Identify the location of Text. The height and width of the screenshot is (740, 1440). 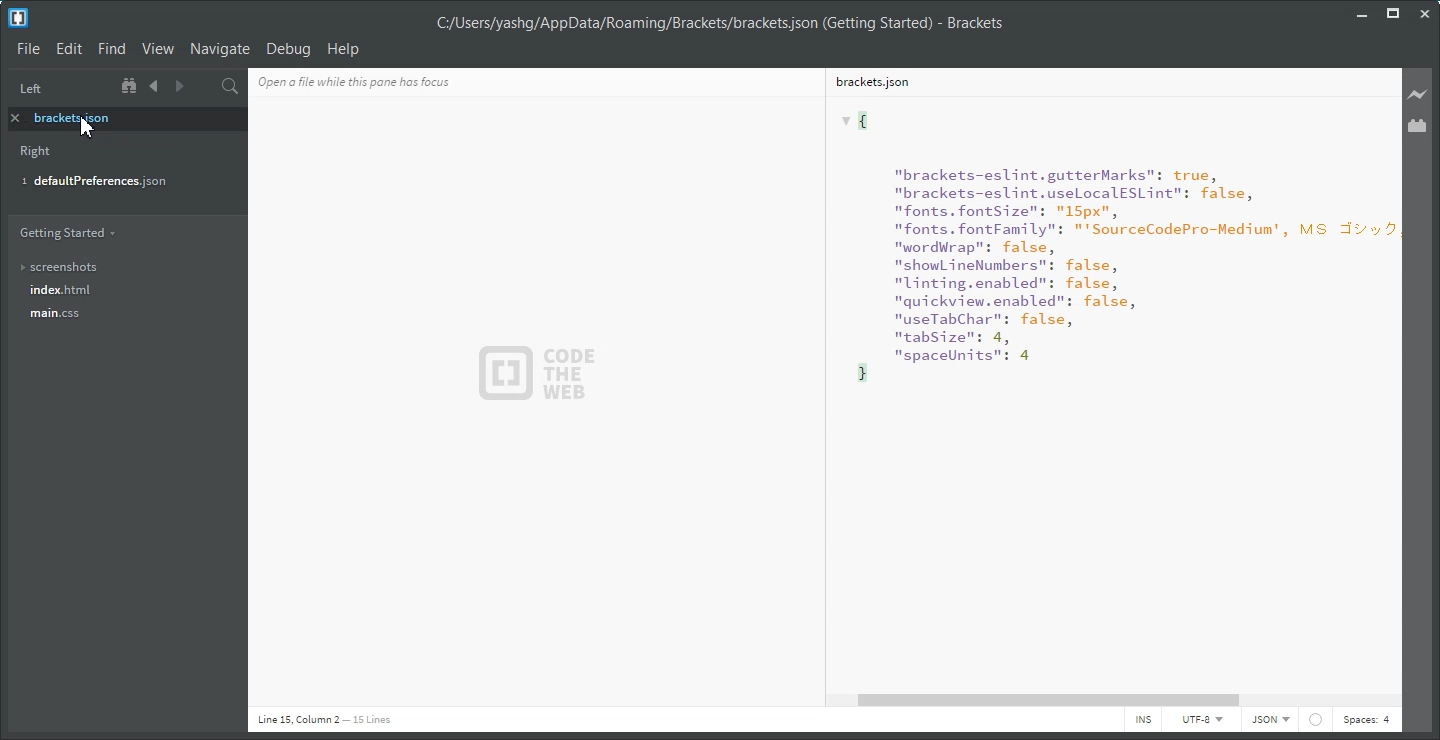
(719, 24).